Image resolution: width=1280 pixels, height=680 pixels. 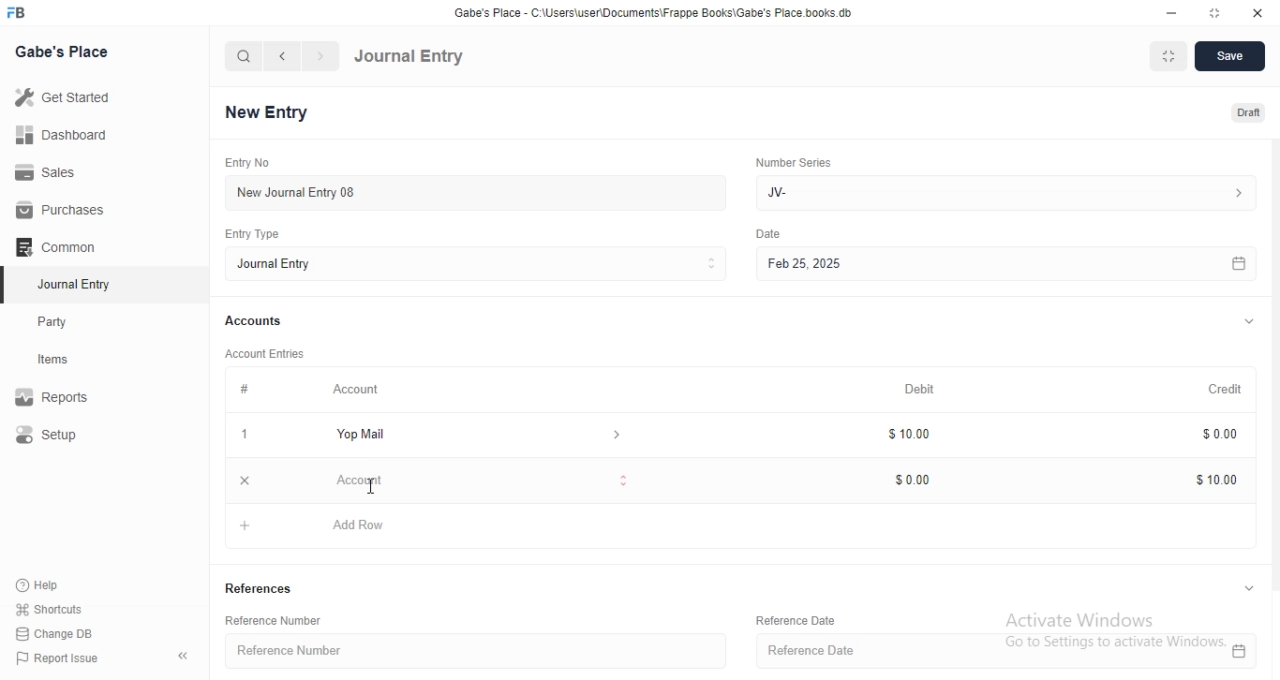 What do you see at coordinates (1216, 389) in the screenshot?
I see `Credit` at bounding box center [1216, 389].